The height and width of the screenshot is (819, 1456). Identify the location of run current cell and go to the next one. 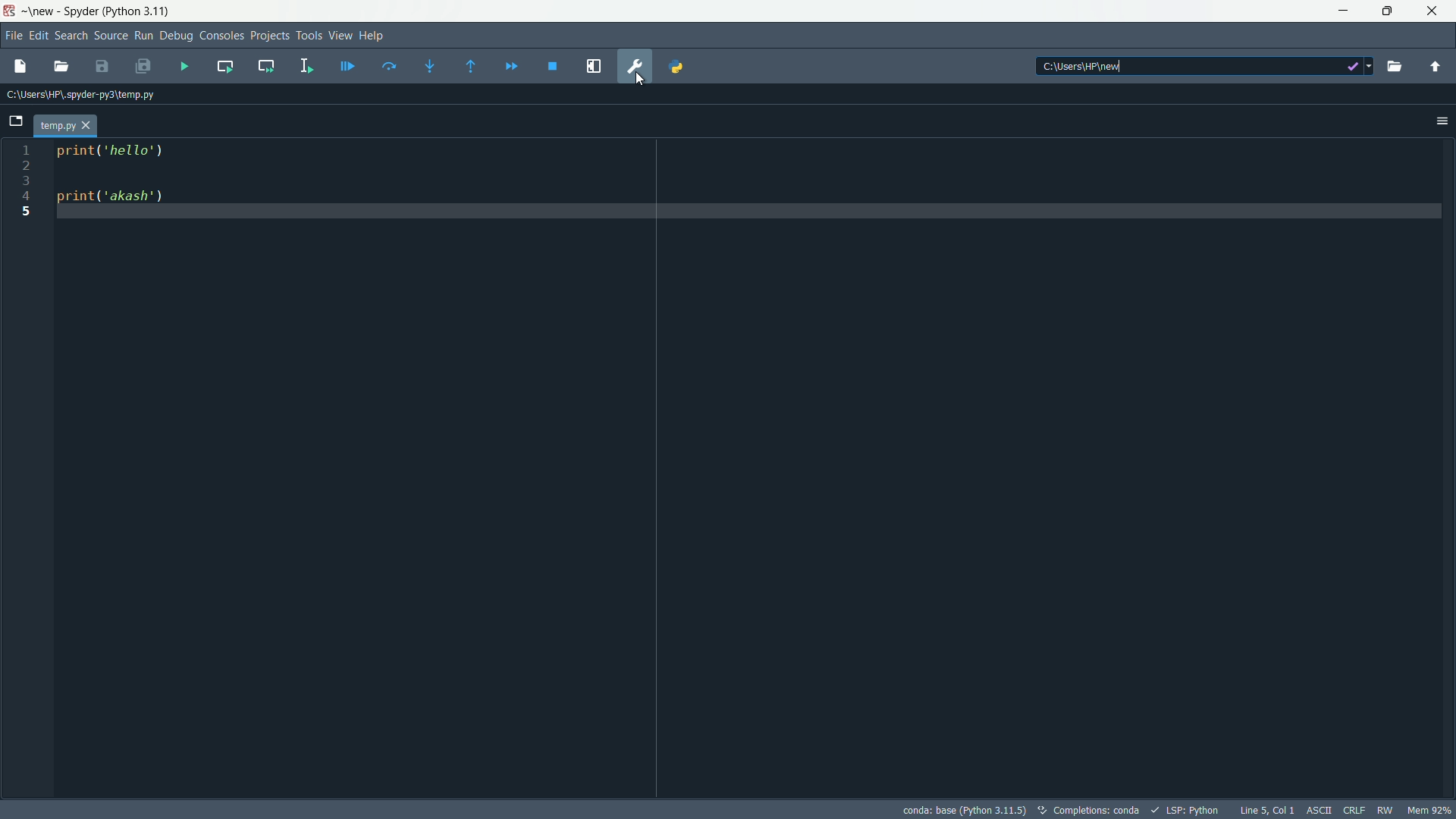
(262, 64).